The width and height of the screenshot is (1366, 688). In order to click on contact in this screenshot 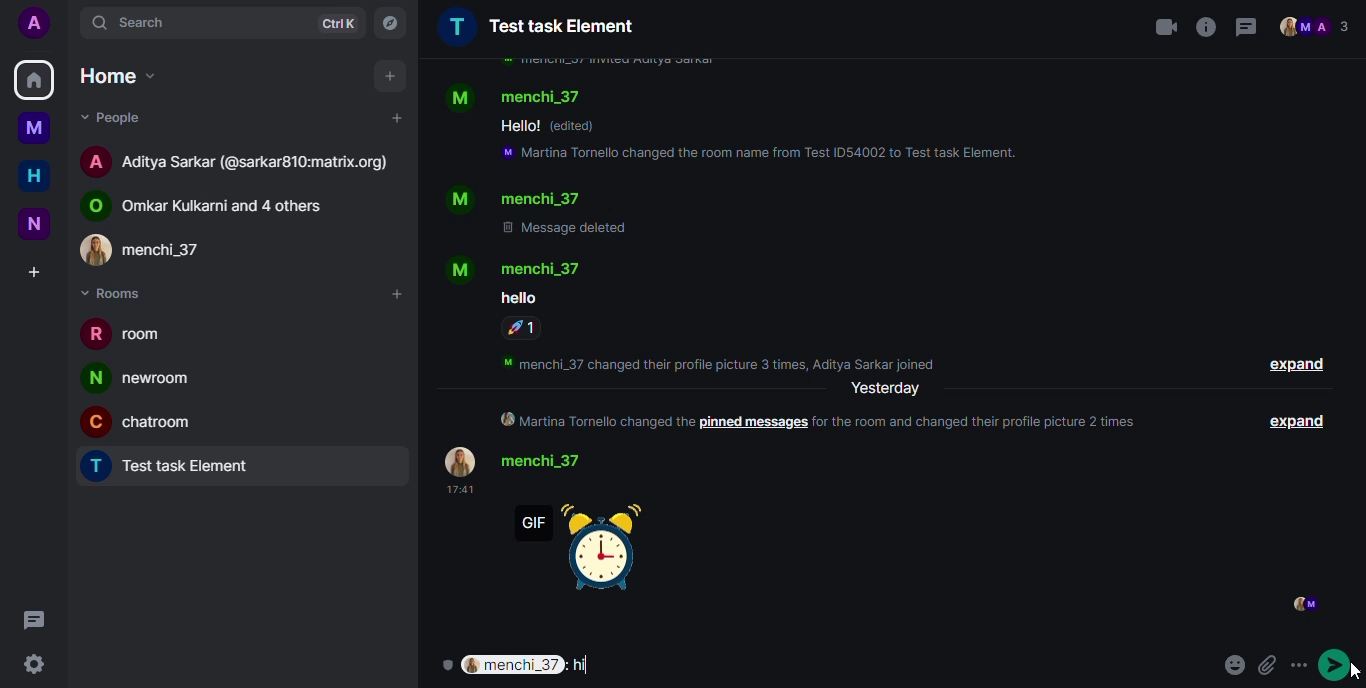, I will do `click(524, 461)`.